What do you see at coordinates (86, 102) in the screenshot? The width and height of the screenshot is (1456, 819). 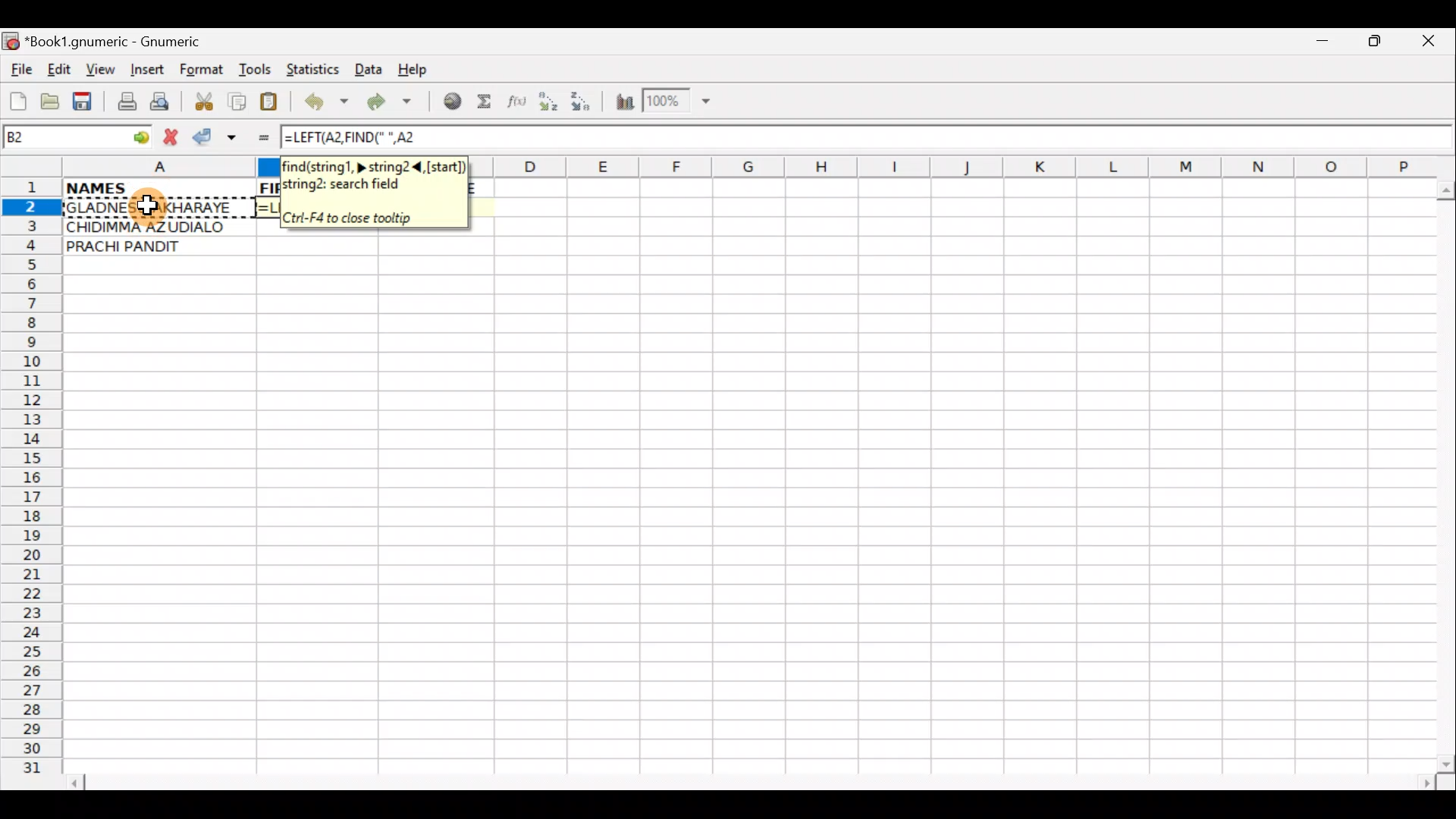 I see `Save current workbook` at bounding box center [86, 102].